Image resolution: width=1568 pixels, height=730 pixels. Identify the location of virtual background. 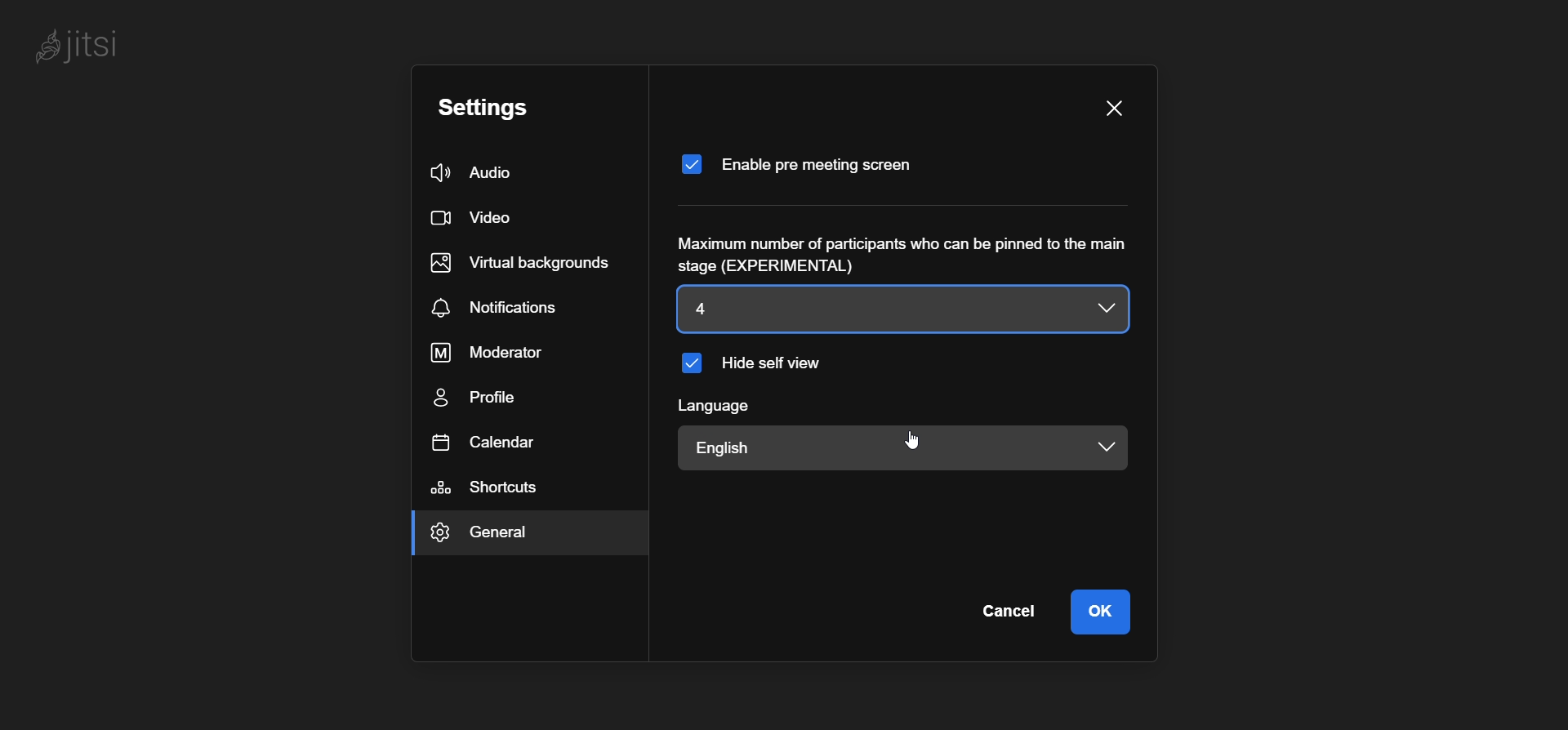
(523, 260).